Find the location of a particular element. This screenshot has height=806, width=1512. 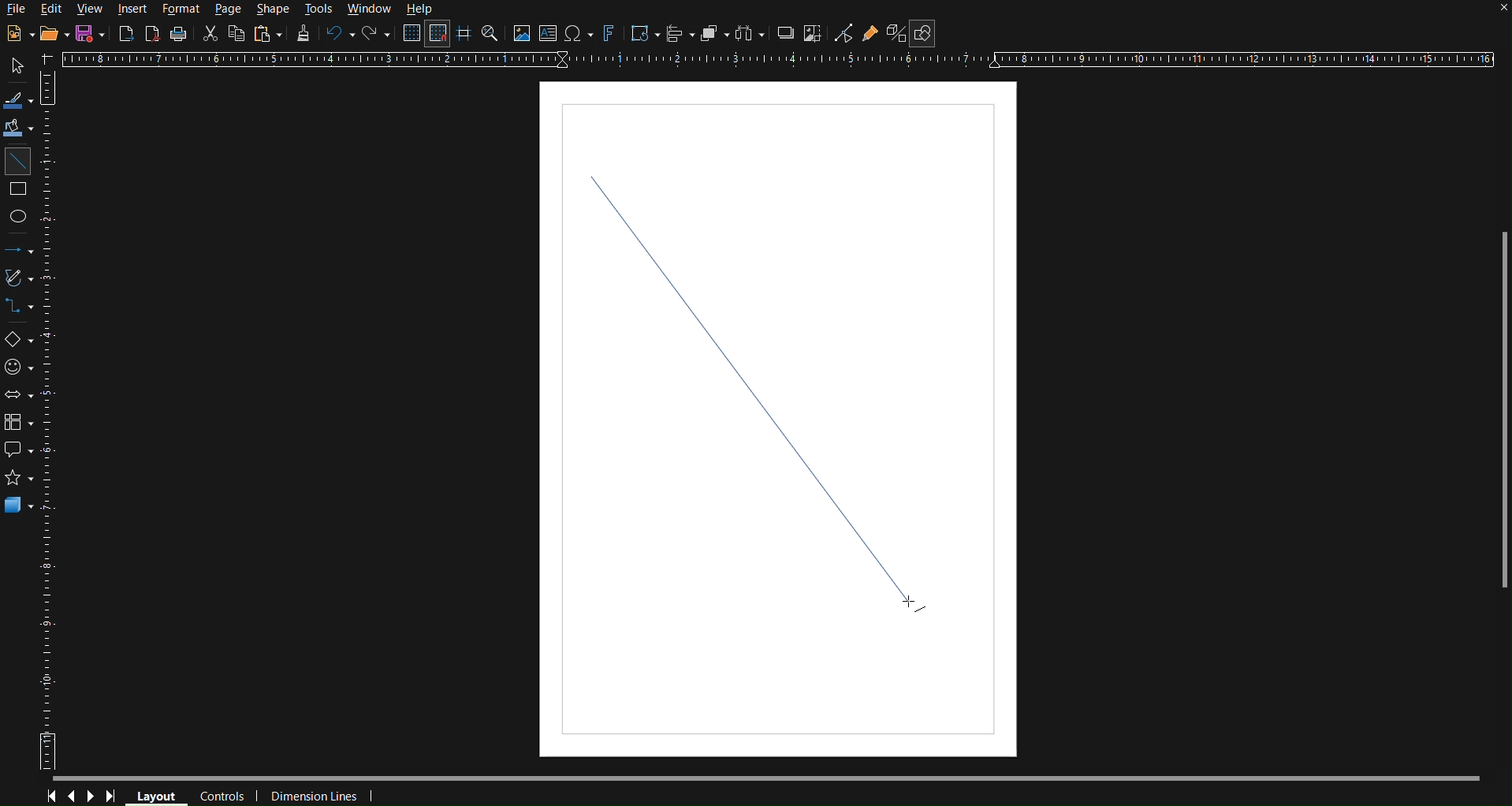

Save is located at coordinates (86, 34).